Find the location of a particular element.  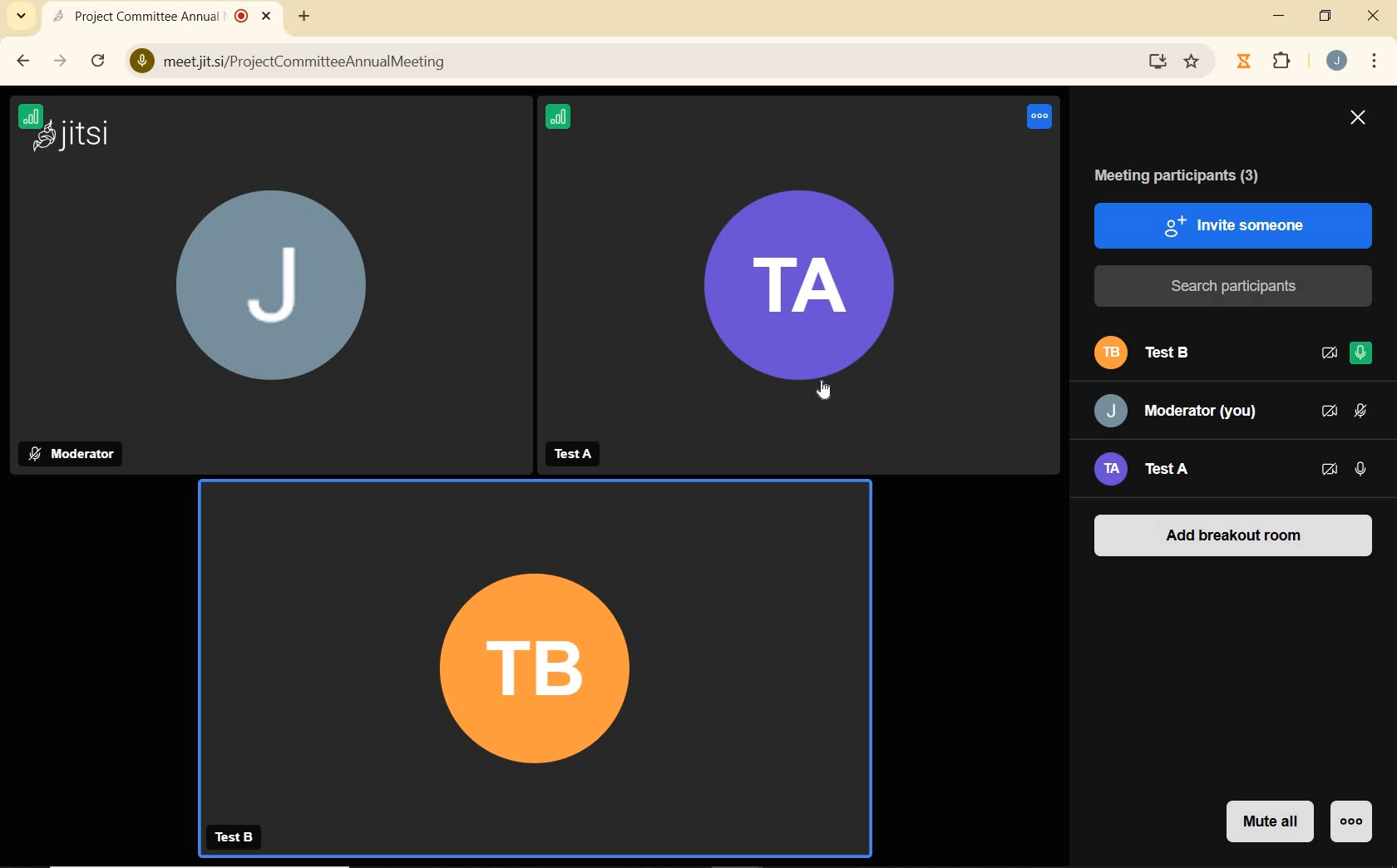

MICROPHONE is located at coordinates (1360, 355).